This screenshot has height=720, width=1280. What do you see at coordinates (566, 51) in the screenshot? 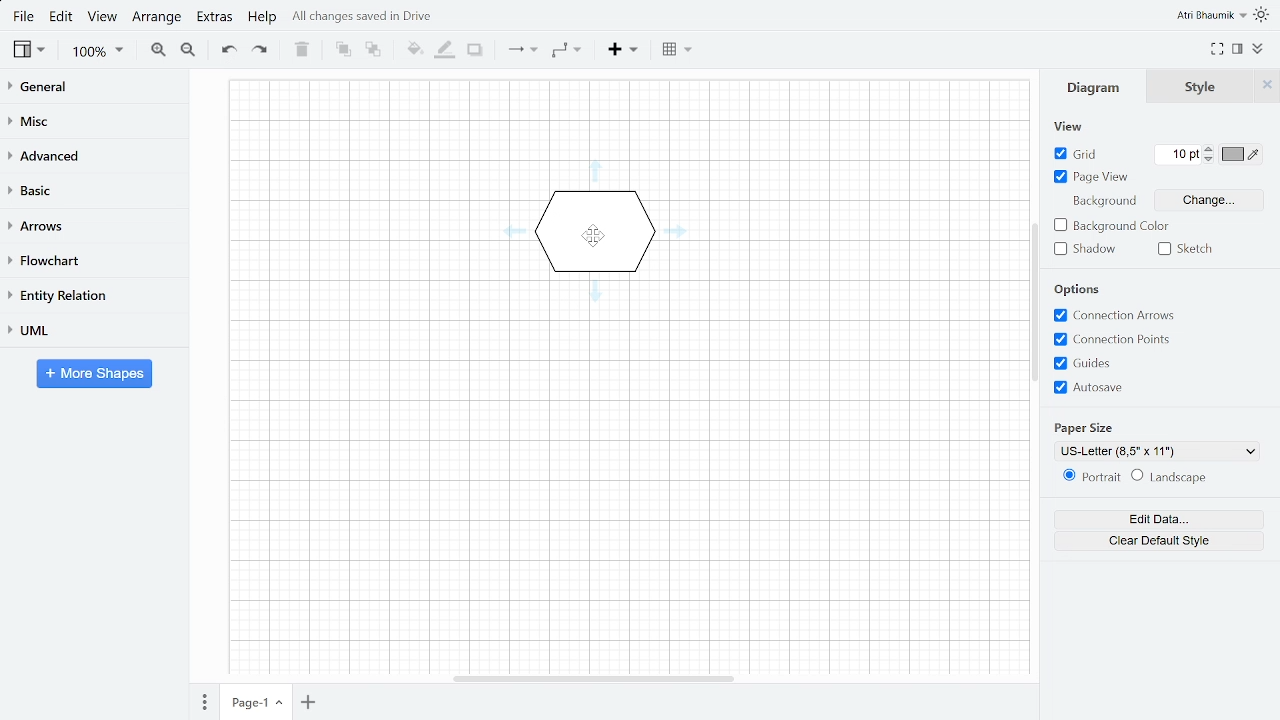
I see `Waypoint` at bounding box center [566, 51].